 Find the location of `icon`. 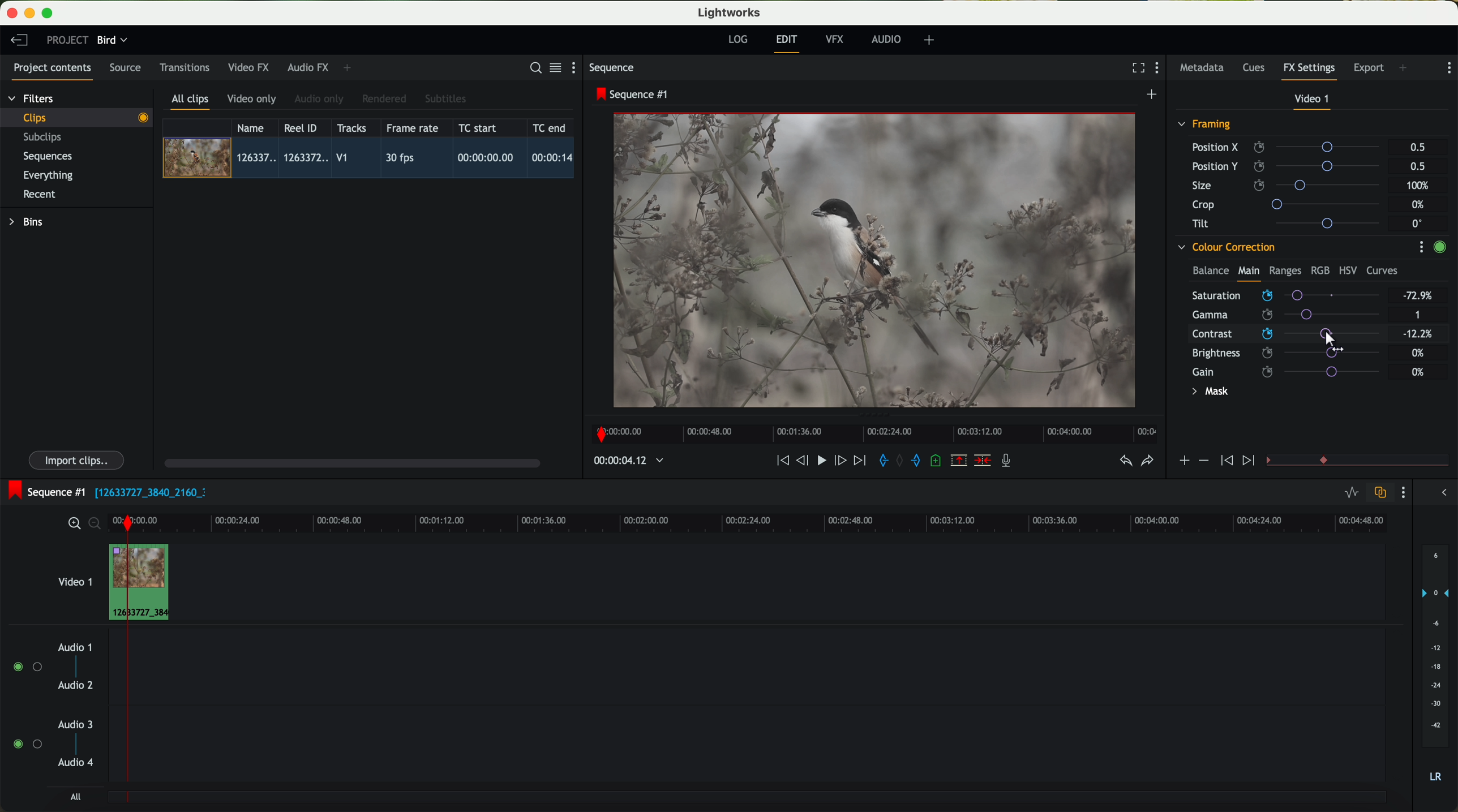

icon is located at coordinates (1183, 462).